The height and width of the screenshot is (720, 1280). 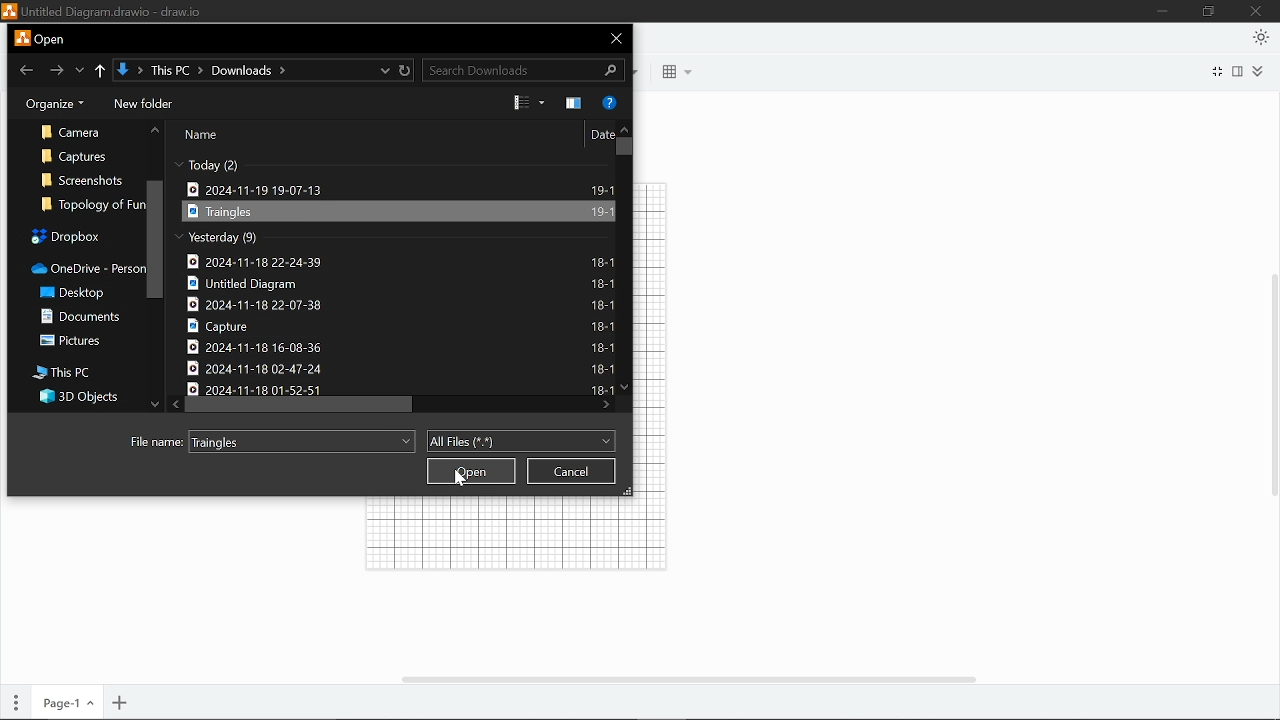 What do you see at coordinates (407, 70) in the screenshot?
I see `Refresh` at bounding box center [407, 70].